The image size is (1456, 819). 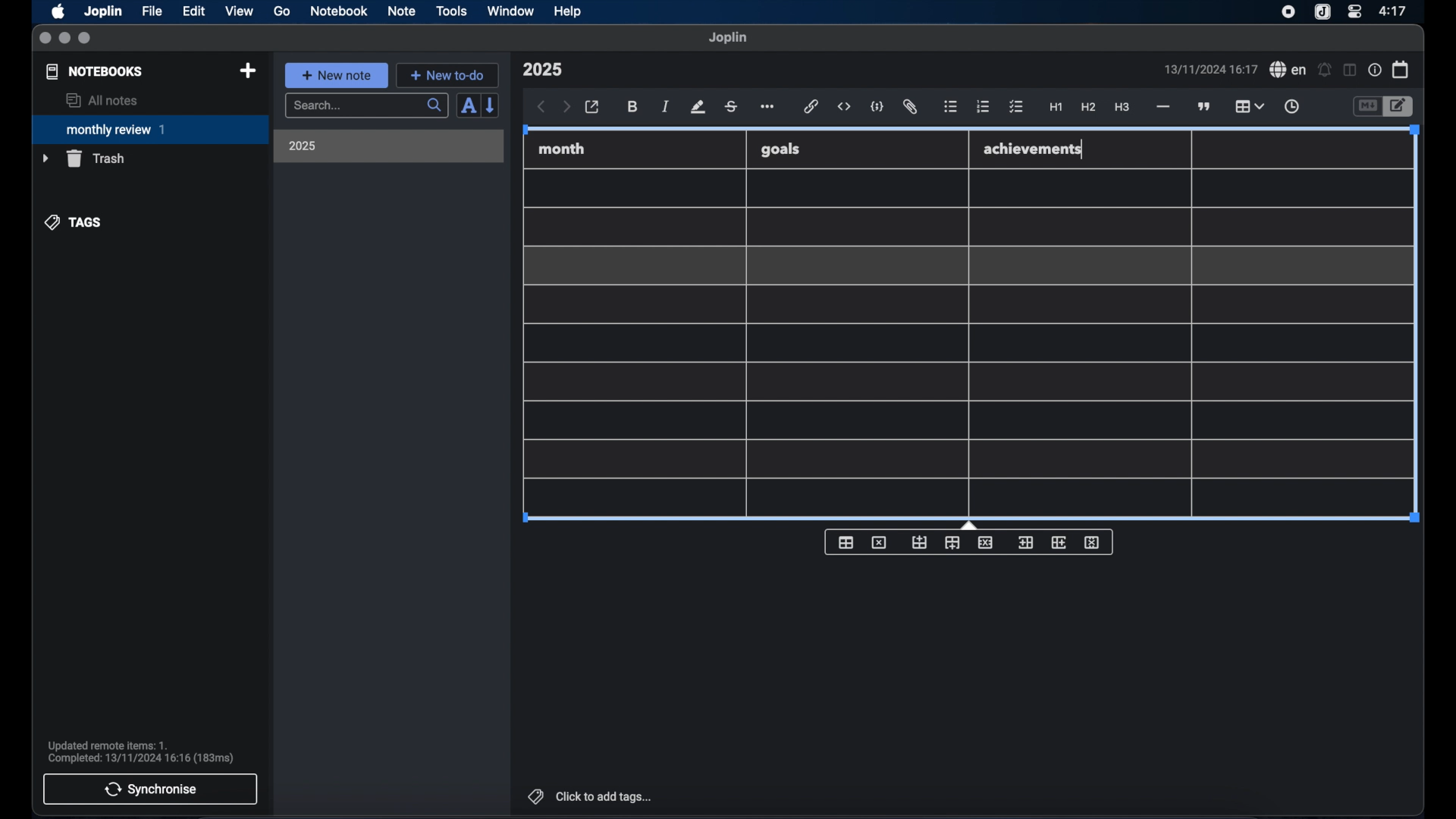 I want to click on block quotes, so click(x=1205, y=107).